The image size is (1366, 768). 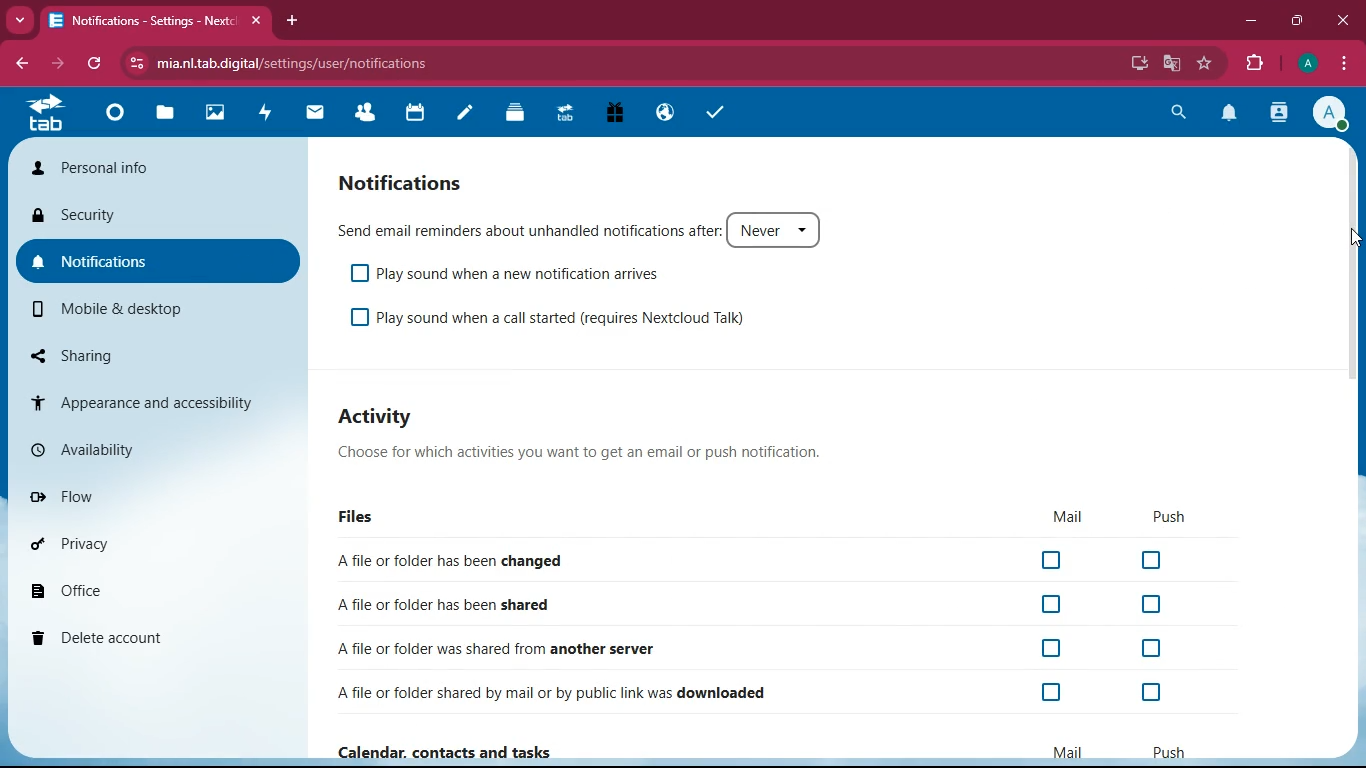 What do you see at coordinates (526, 228) in the screenshot?
I see `send email reminders about unhandled notifications after` at bounding box center [526, 228].